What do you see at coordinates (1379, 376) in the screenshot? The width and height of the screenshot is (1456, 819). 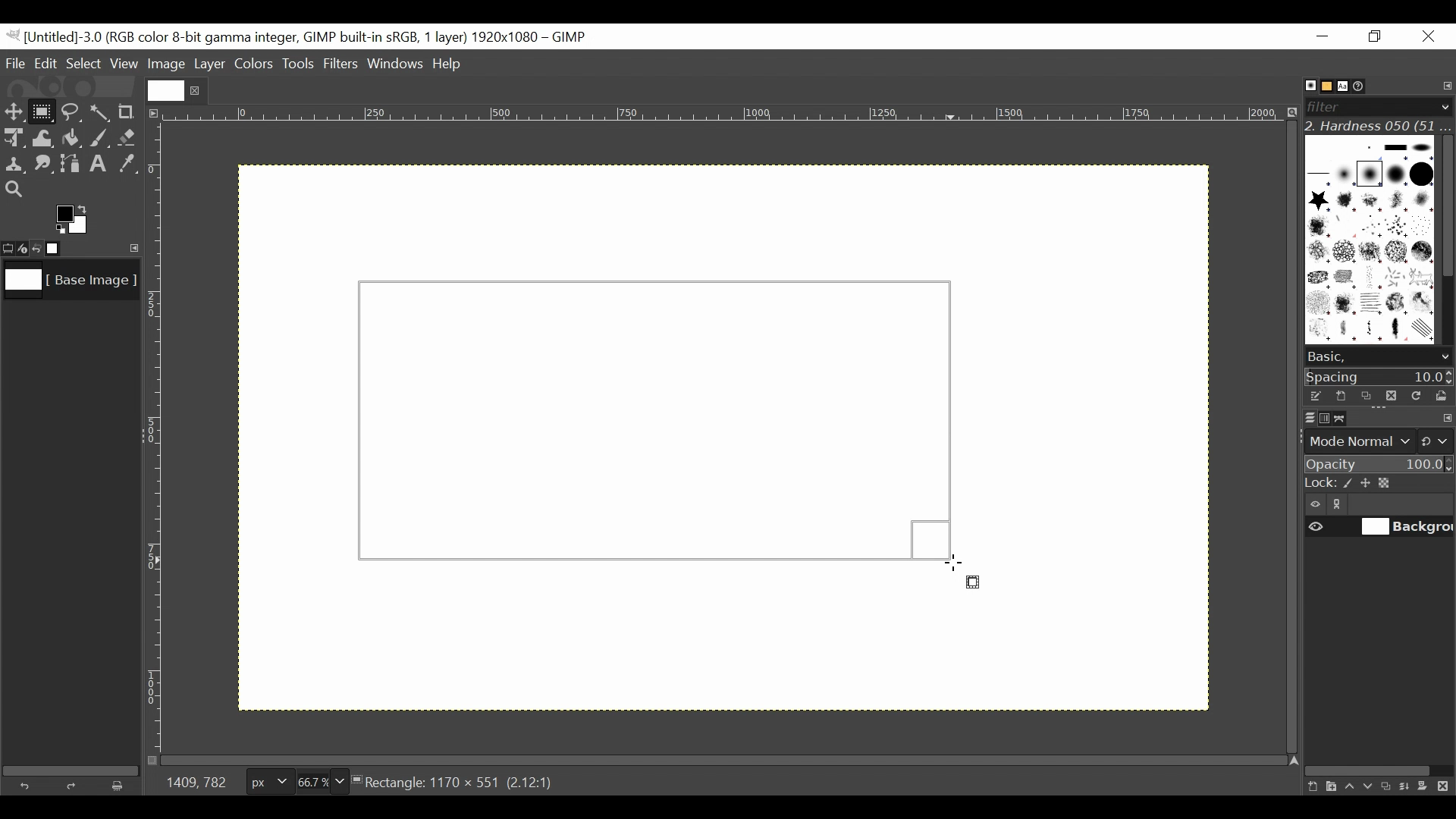 I see `Spacing` at bounding box center [1379, 376].